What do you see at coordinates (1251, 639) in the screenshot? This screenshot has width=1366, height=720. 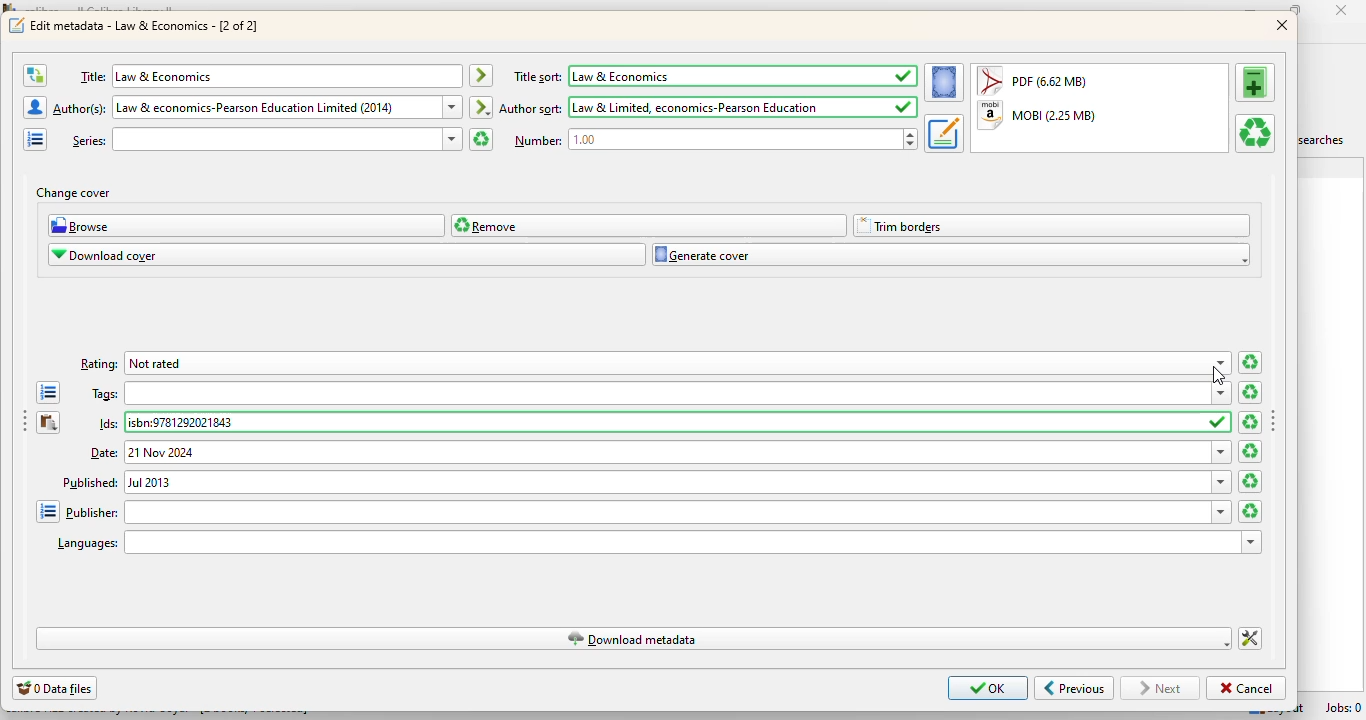 I see `change how calibre downloads metadata` at bounding box center [1251, 639].